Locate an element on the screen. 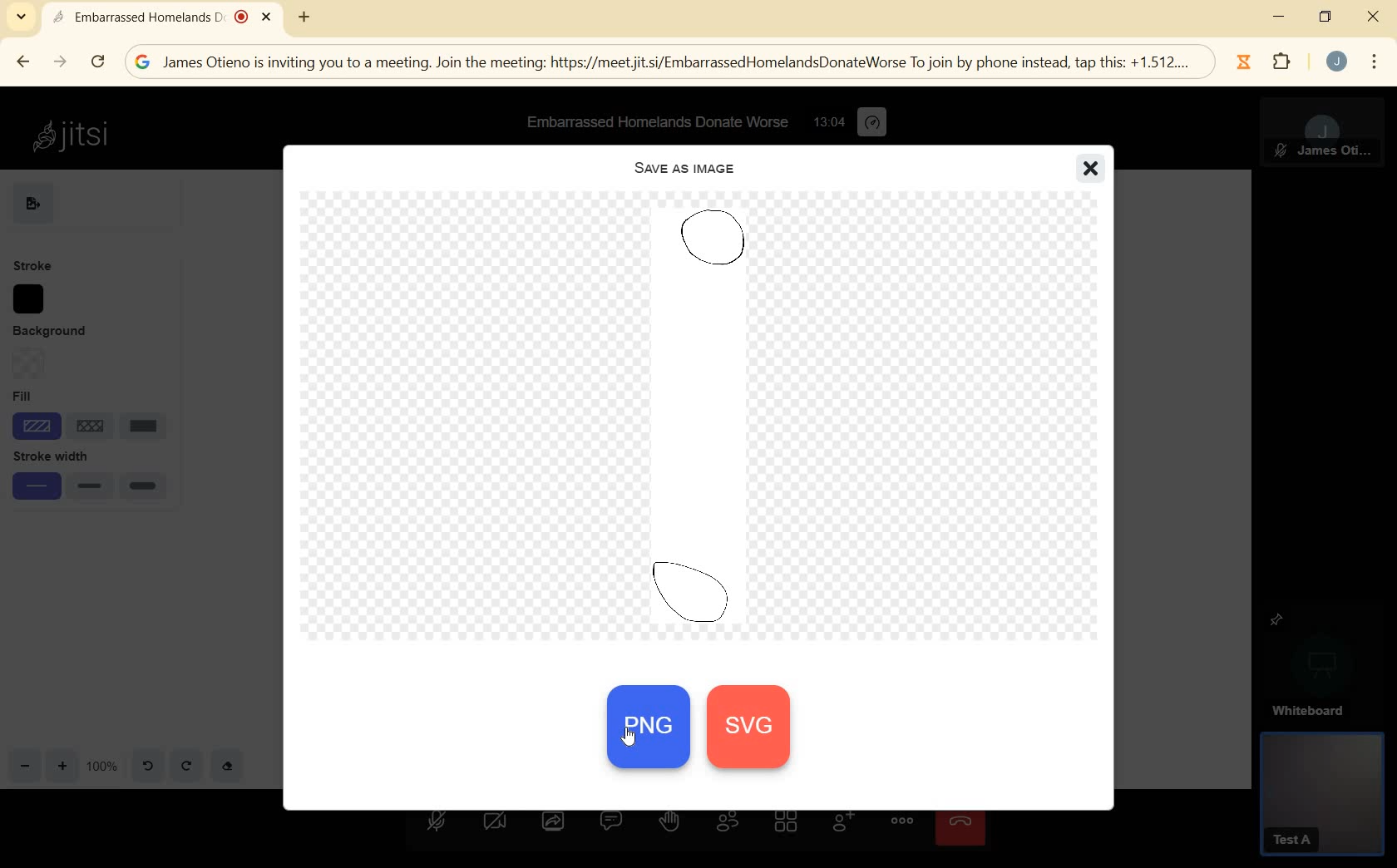 Image resolution: width=1397 pixels, height=868 pixels. Jibble is located at coordinates (1244, 62).